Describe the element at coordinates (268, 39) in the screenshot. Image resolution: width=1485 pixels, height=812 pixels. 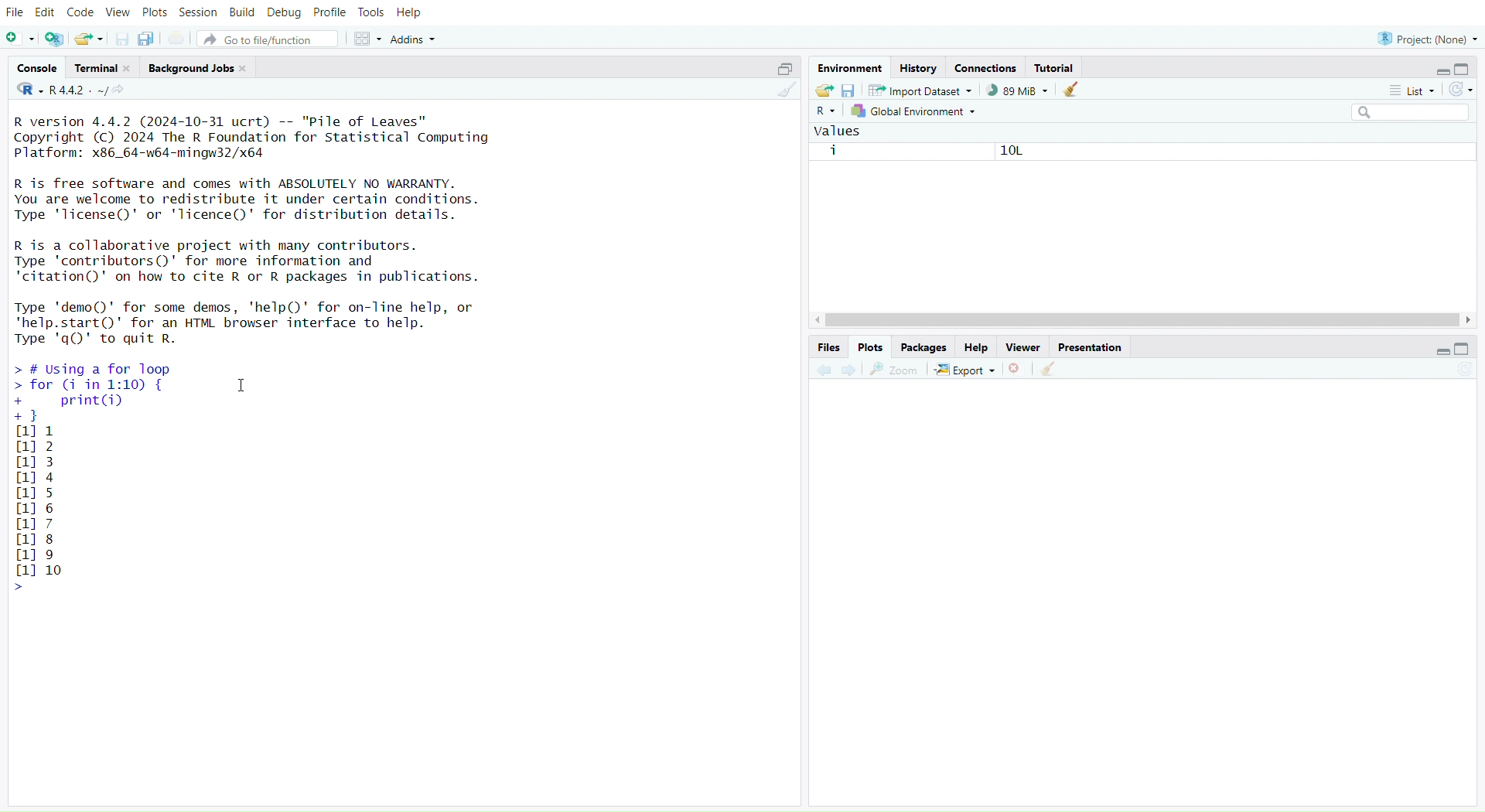
I see `go to file/function` at that location.